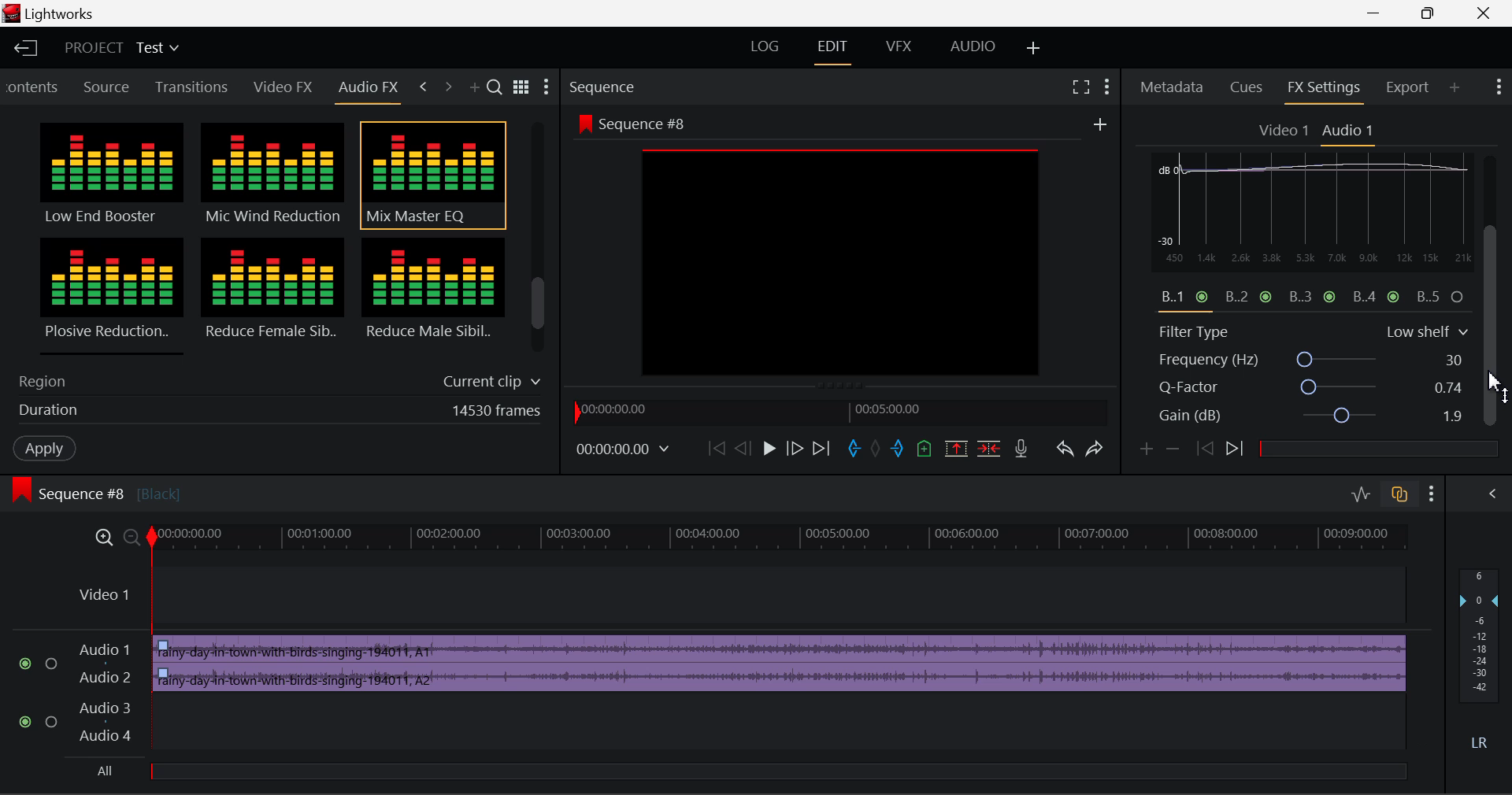 This screenshot has height=795, width=1512. I want to click on Toggle Audio Levels Editing, so click(1362, 495).